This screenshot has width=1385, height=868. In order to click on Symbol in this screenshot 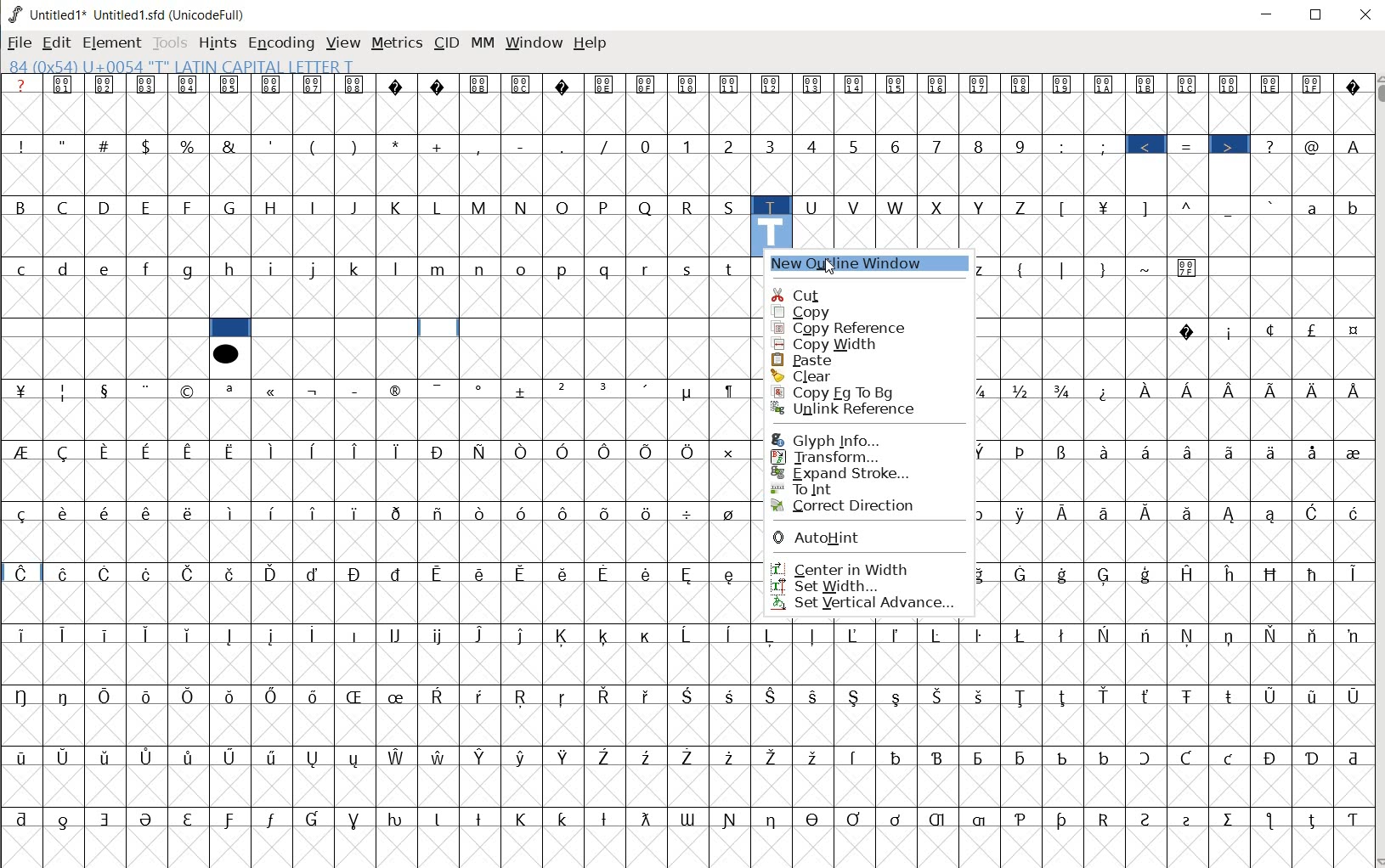, I will do `click(193, 697)`.